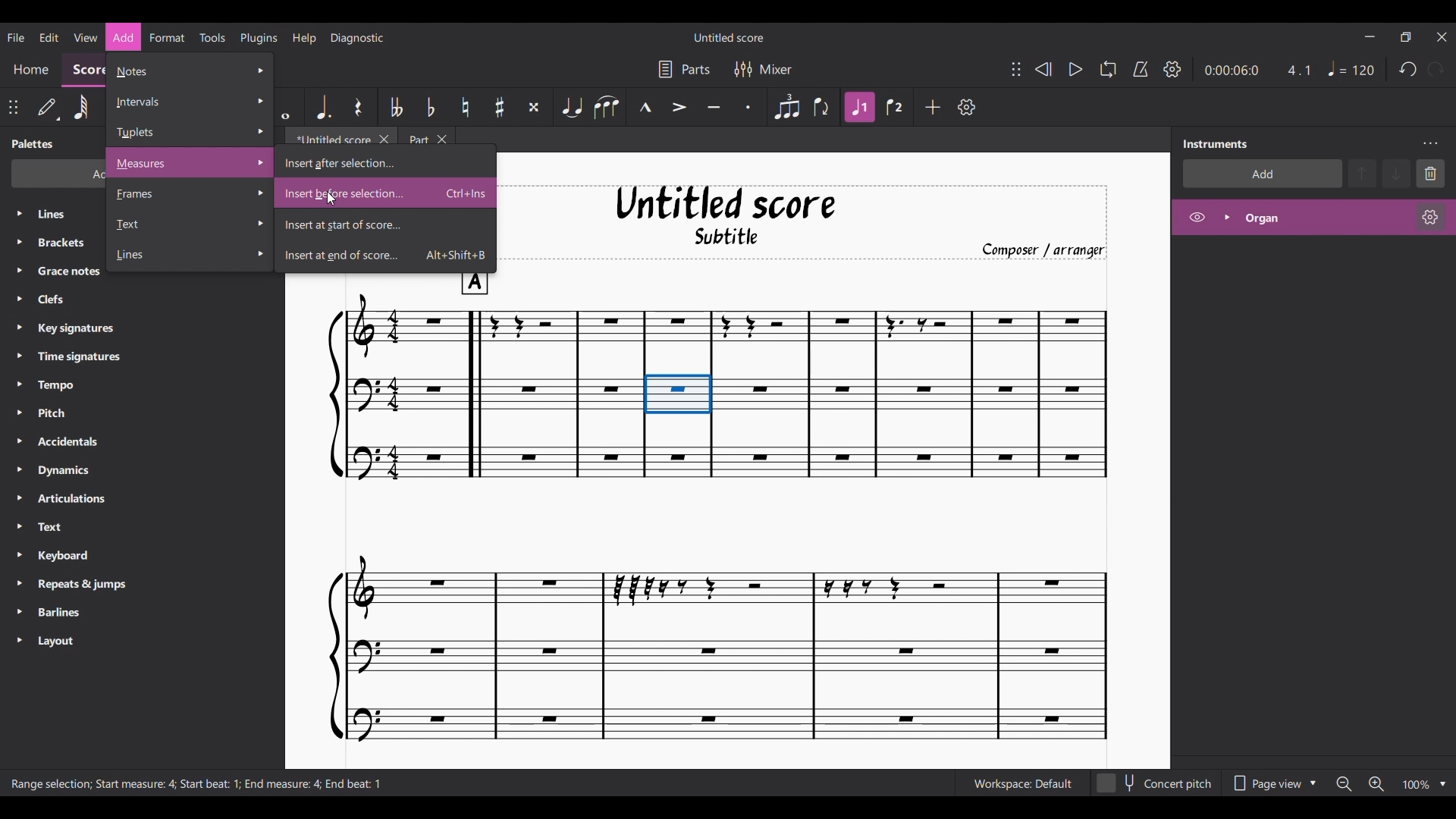 This screenshot has height=819, width=1456. What do you see at coordinates (1430, 143) in the screenshot?
I see `Instruments setting` at bounding box center [1430, 143].